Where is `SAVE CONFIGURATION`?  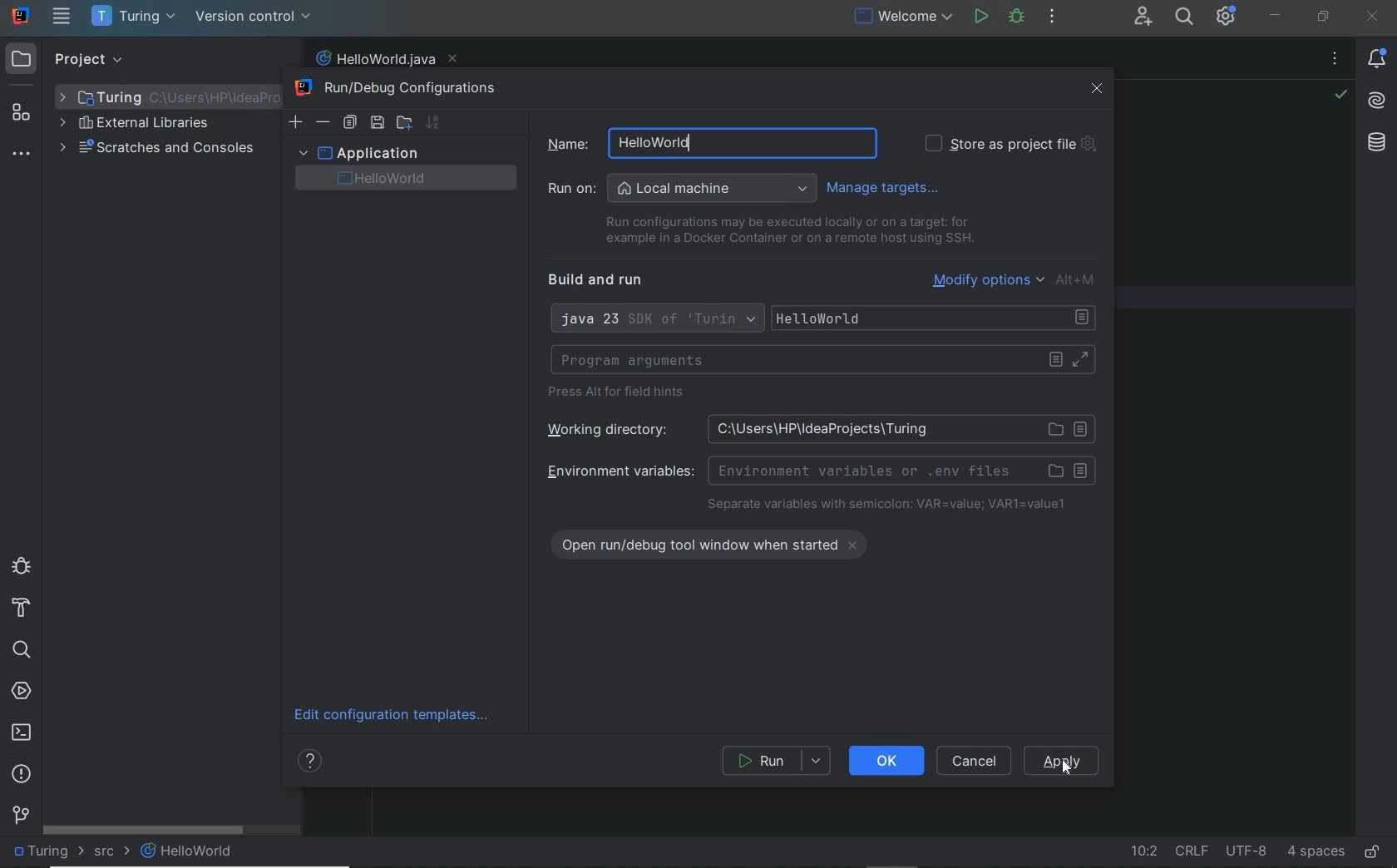 SAVE CONFIGURATION is located at coordinates (377, 123).